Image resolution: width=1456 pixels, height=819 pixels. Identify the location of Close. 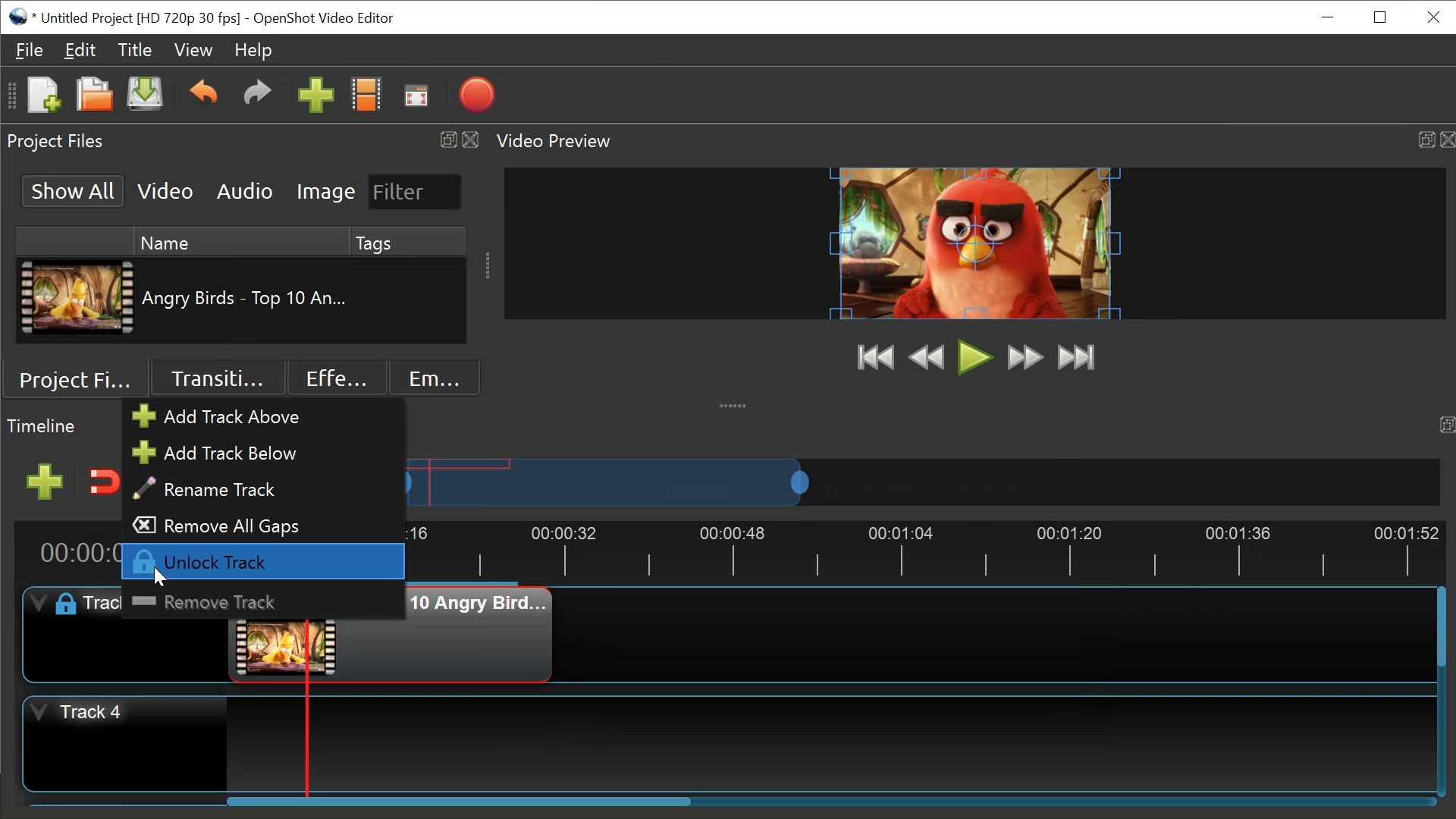
(1432, 17).